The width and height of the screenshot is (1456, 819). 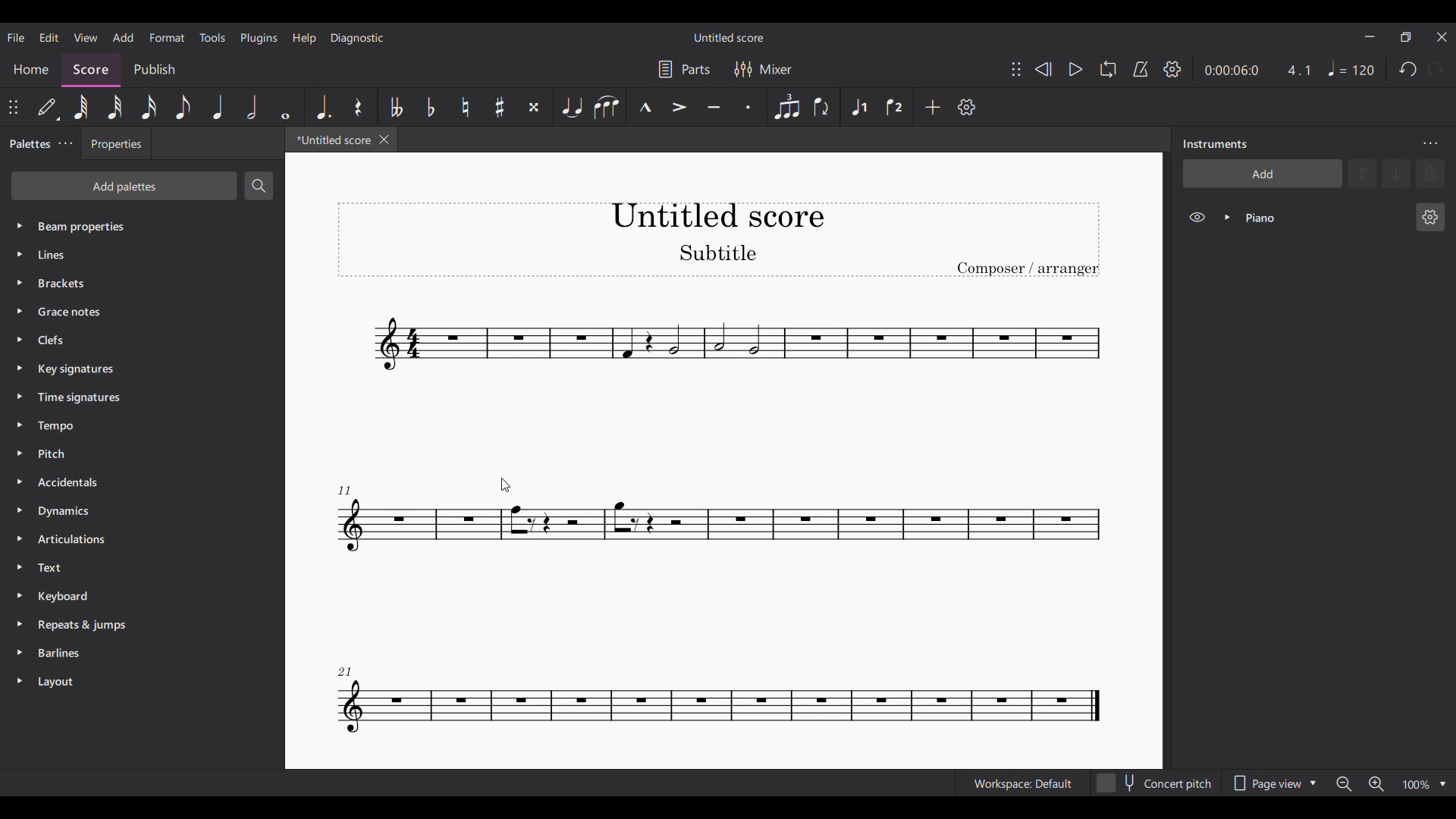 I want to click on Articulations, so click(x=127, y=539).